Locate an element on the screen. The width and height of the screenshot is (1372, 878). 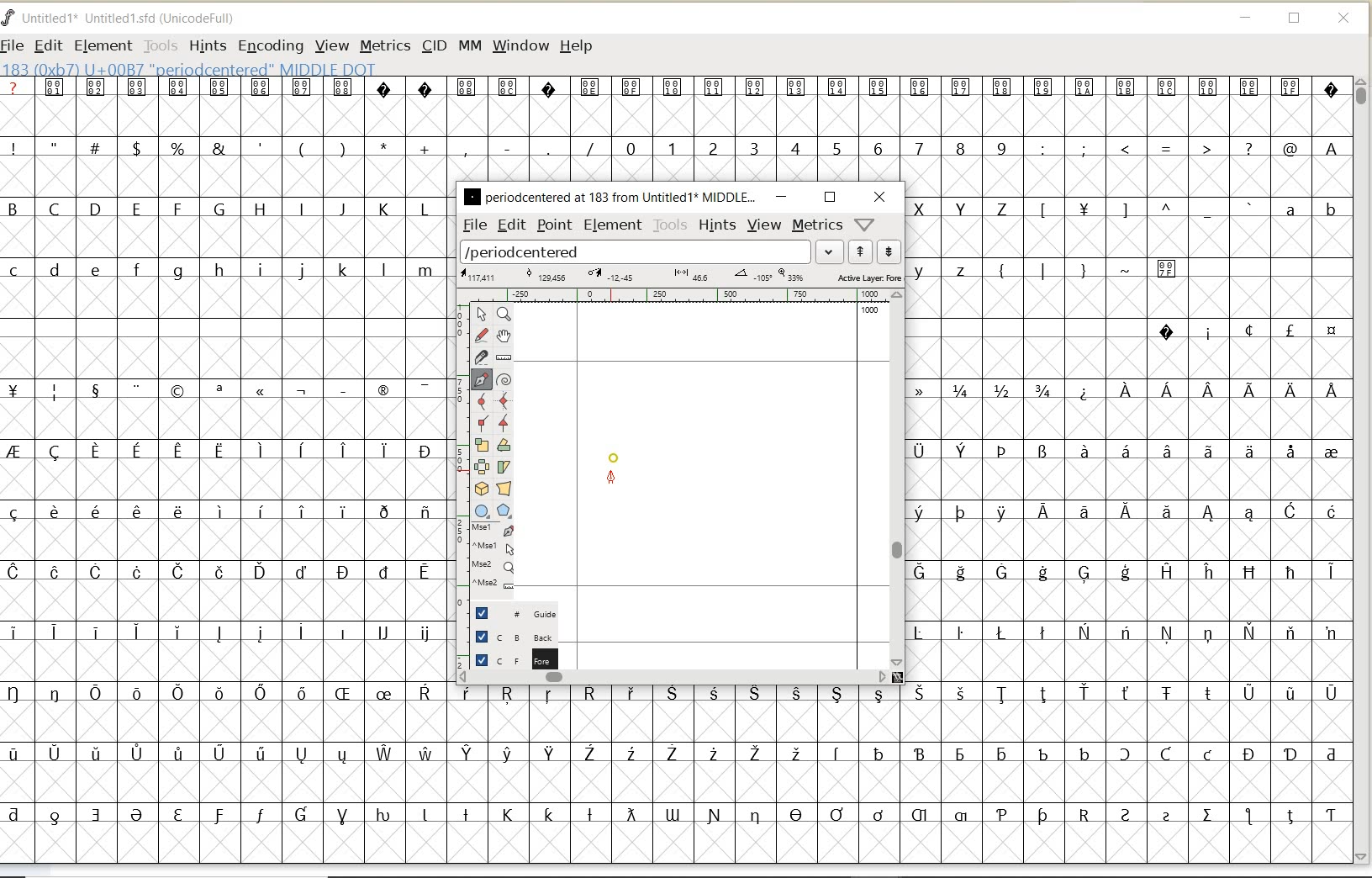
close is located at coordinates (879, 197).